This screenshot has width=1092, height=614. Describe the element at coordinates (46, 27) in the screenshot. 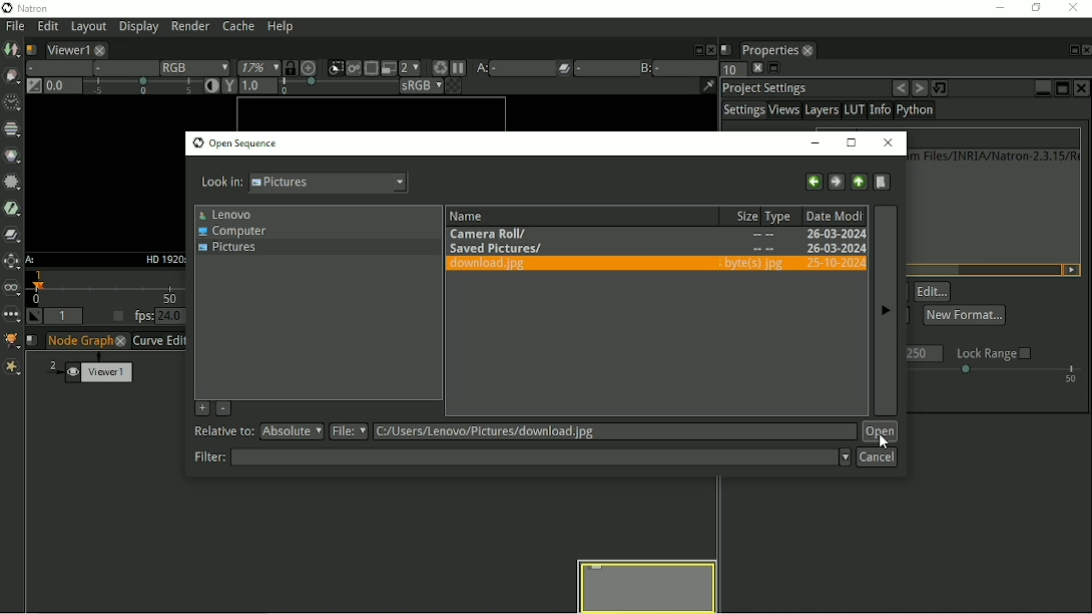

I see `Edit` at that location.